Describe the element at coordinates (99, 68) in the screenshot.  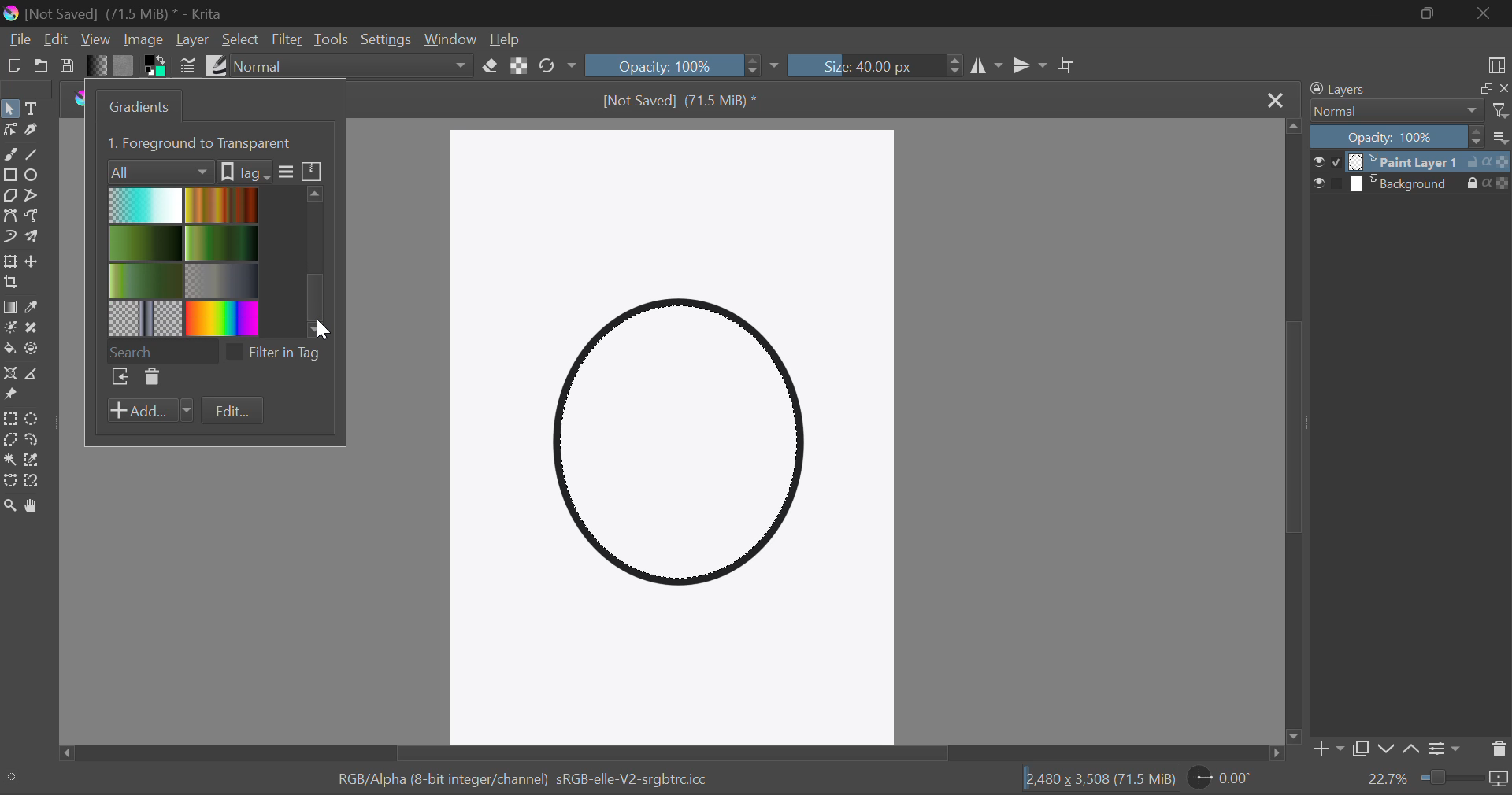
I see `Gradient` at that location.